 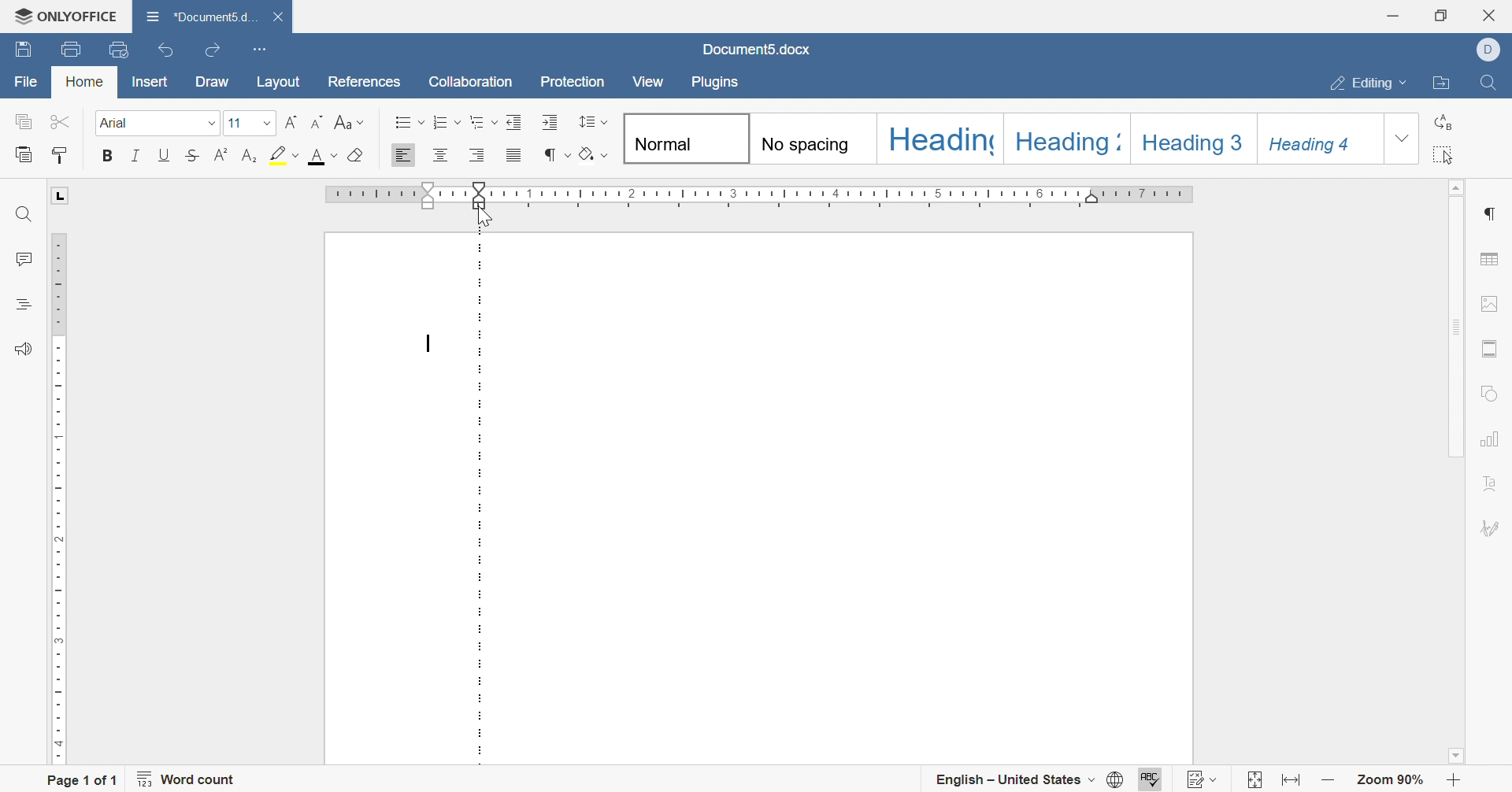 I want to click on redo, so click(x=210, y=53).